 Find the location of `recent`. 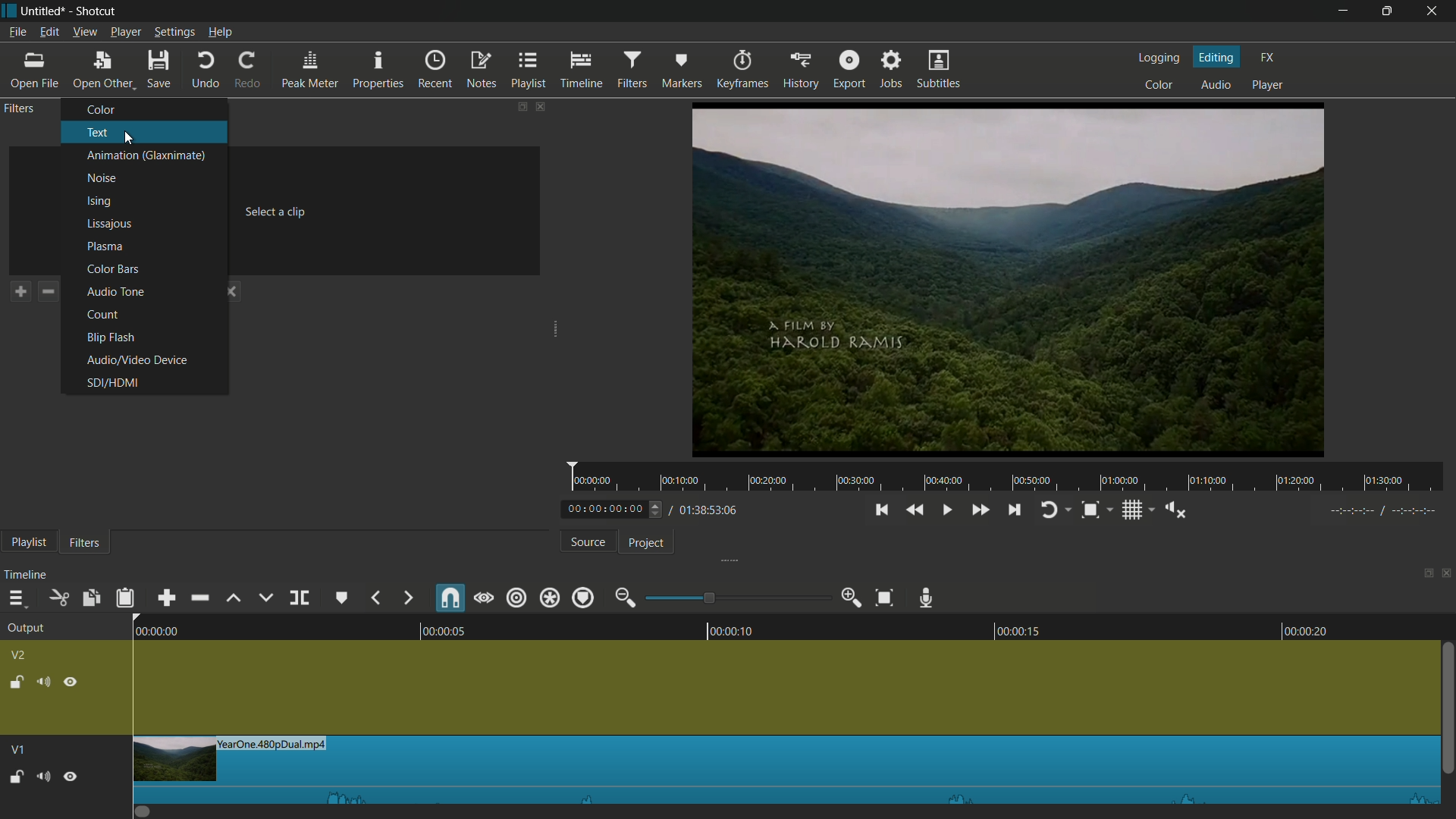

recent is located at coordinates (436, 71).